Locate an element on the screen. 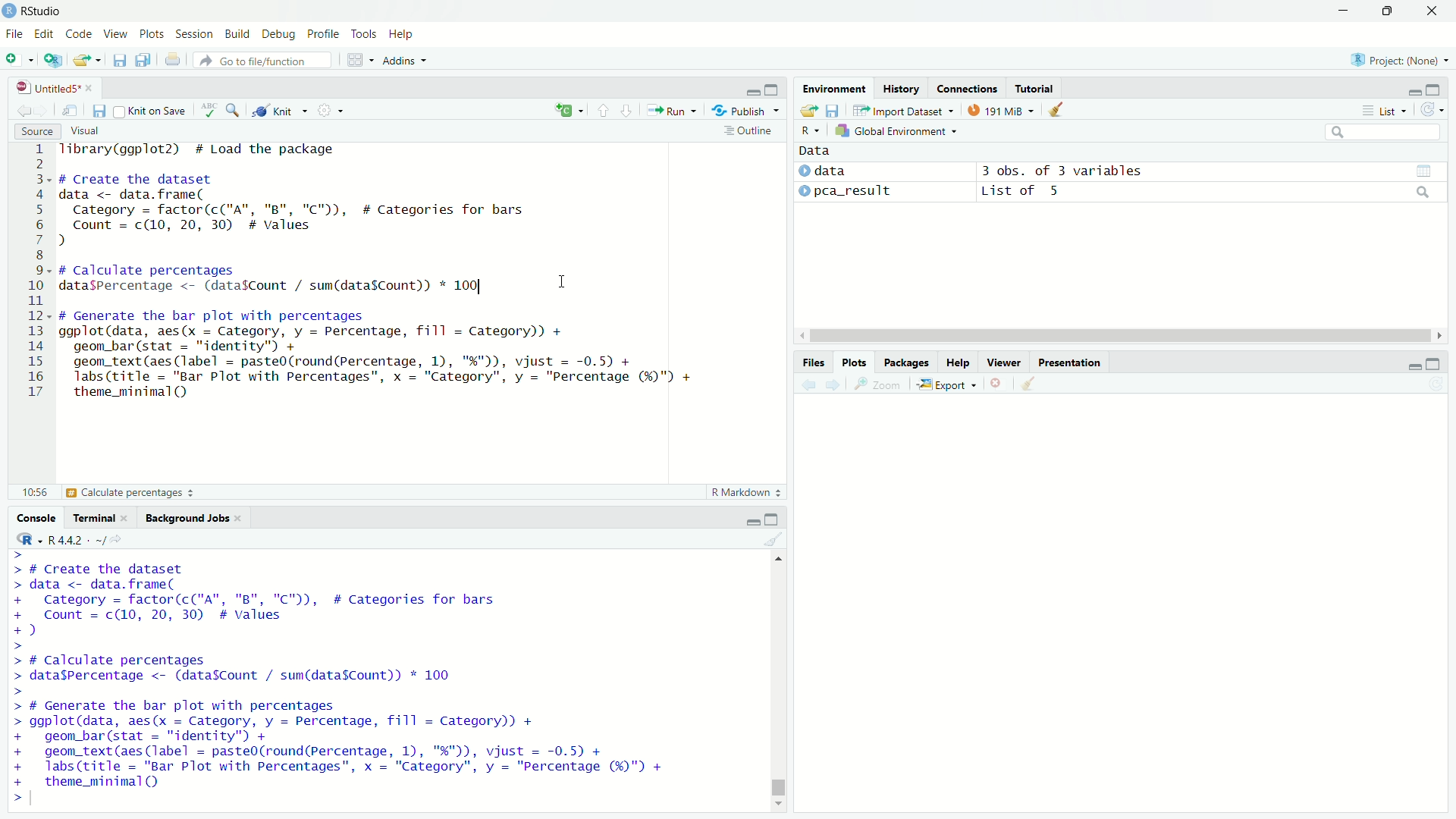 Image resolution: width=1456 pixels, height=819 pixels. lines is located at coordinates (38, 272).